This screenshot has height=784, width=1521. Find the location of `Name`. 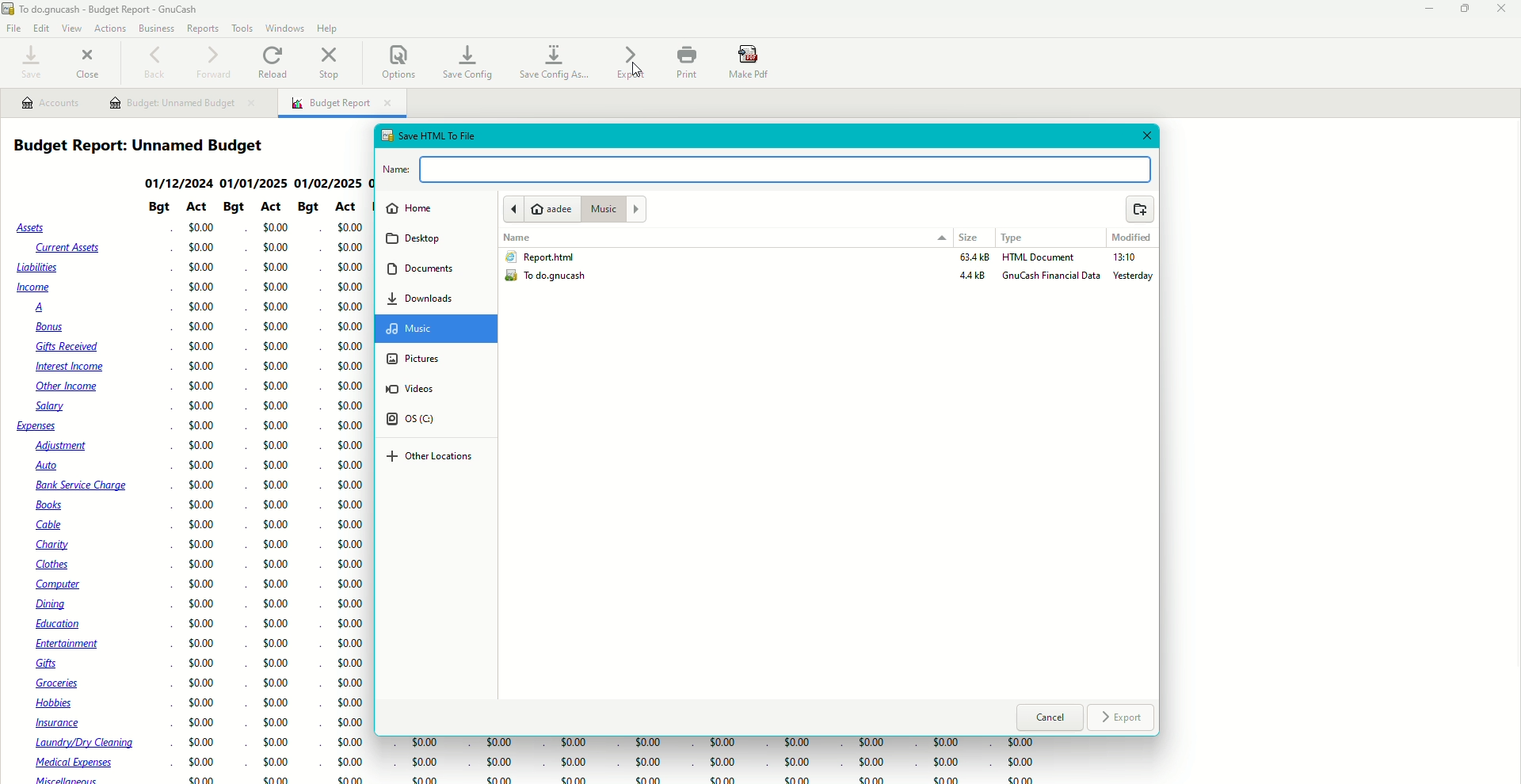

Name is located at coordinates (520, 238).